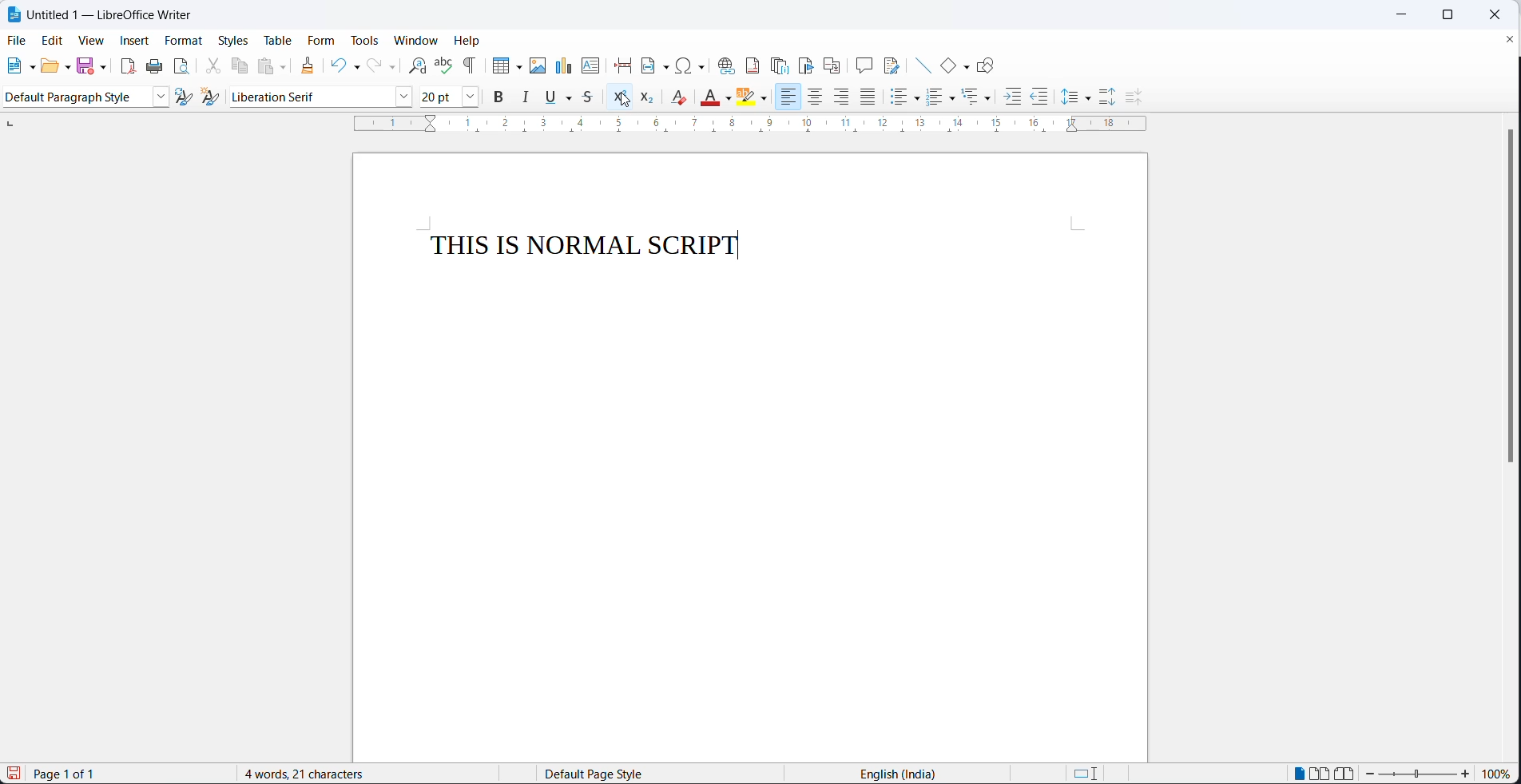 Image resolution: width=1521 pixels, height=784 pixels. Describe the element at coordinates (942, 63) in the screenshot. I see `basic shapes` at that location.